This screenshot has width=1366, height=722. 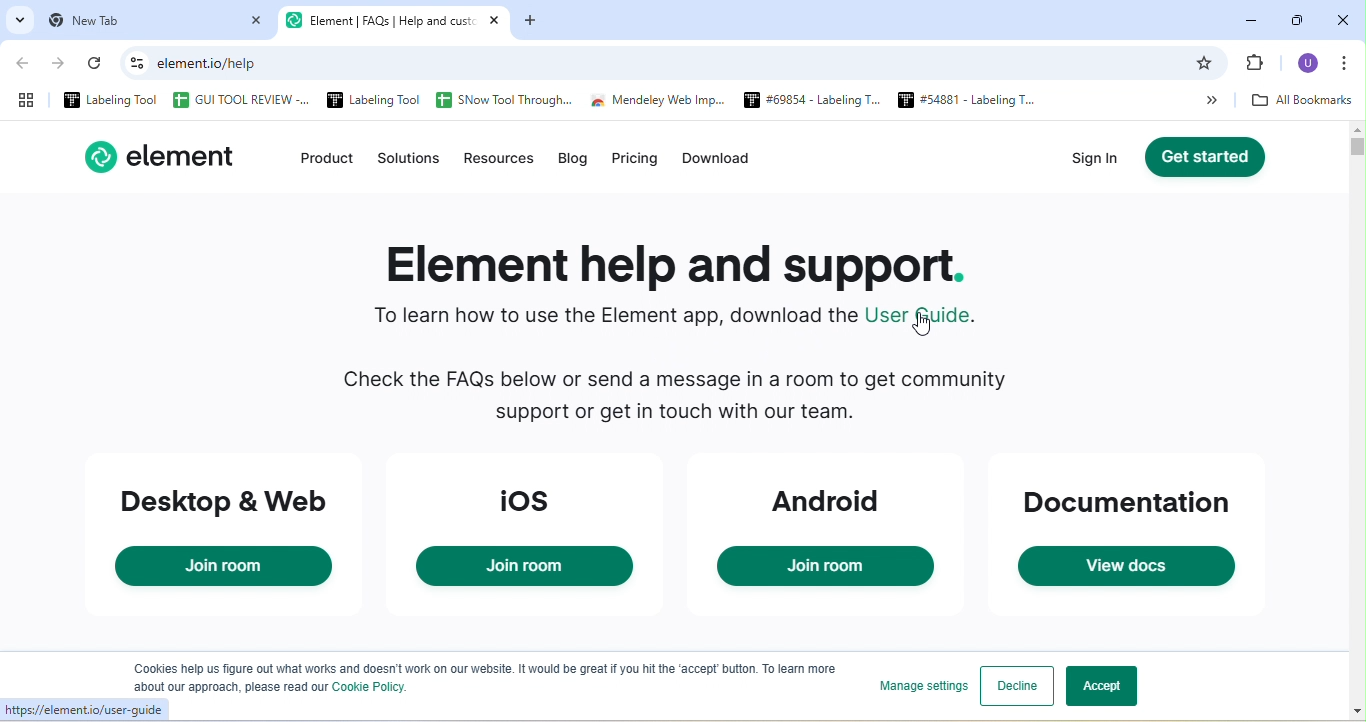 I want to click on  #69654 - Labeling T, so click(x=807, y=101).